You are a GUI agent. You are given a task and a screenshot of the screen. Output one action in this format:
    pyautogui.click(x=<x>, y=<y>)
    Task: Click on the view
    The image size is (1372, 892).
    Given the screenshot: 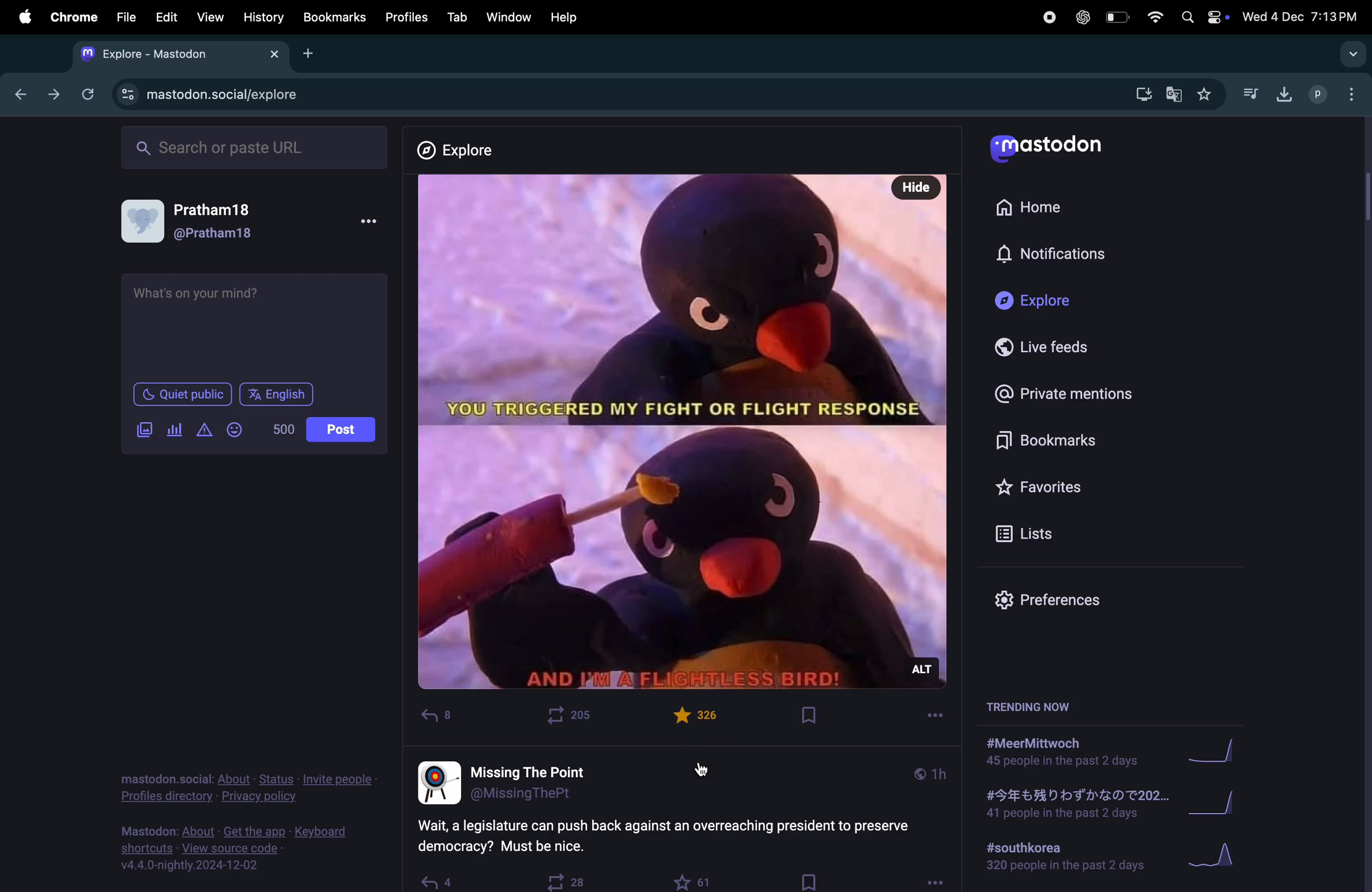 What is the action you would take?
    pyautogui.click(x=211, y=16)
    